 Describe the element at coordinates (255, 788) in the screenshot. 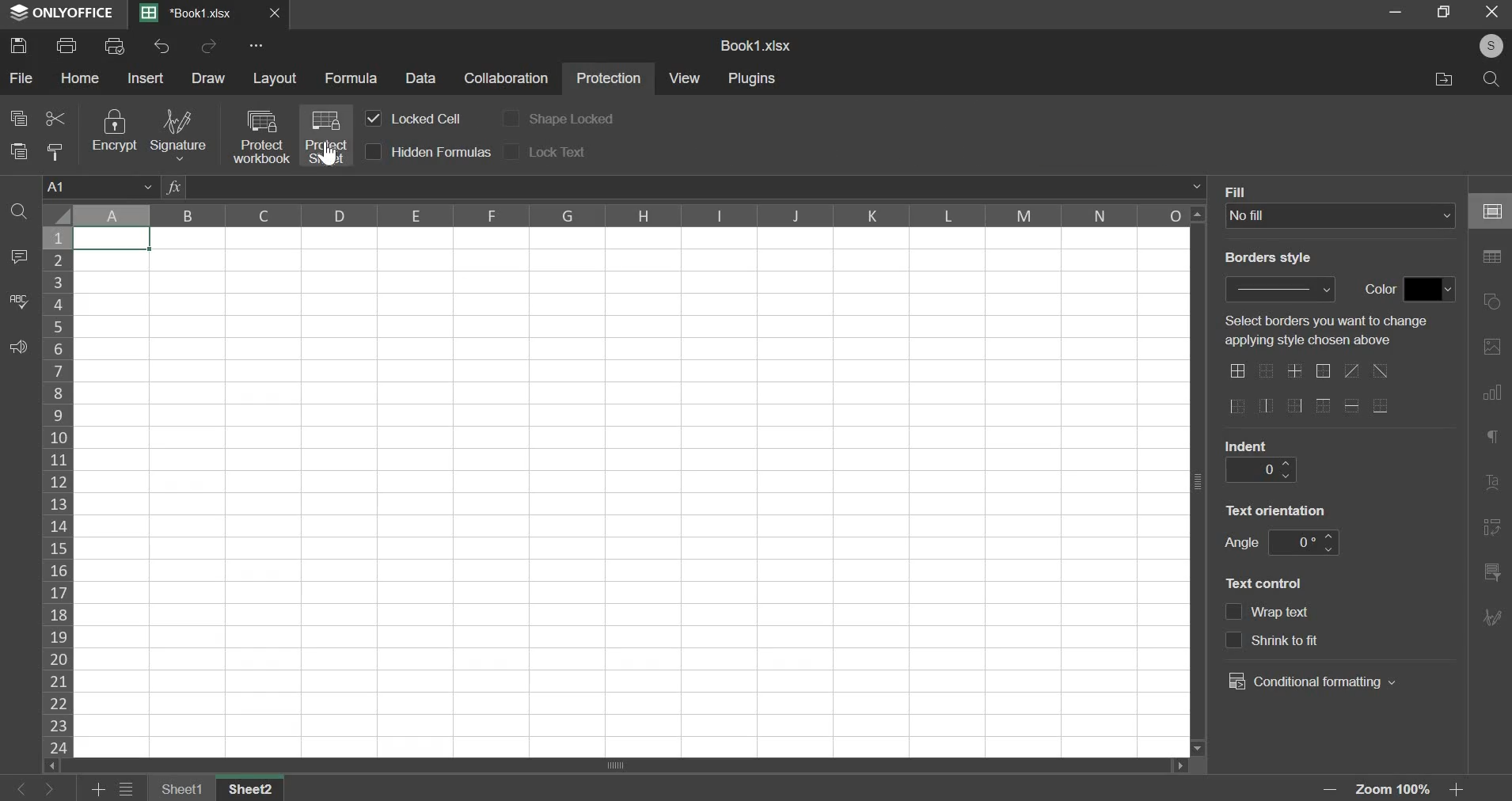

I see `sheet` at that location.